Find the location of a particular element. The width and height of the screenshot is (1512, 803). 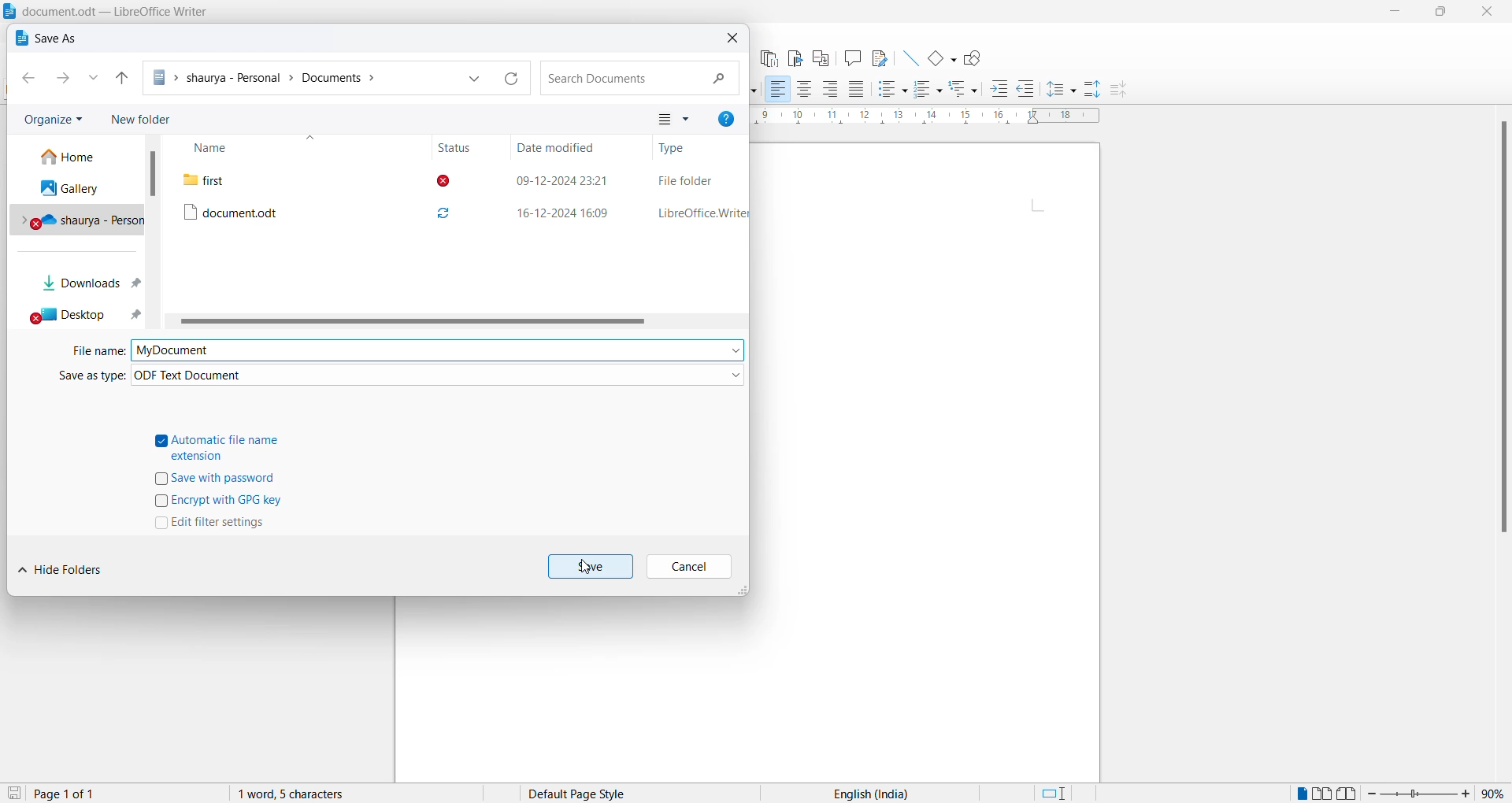

Text language is located at coordinates (867, 793).